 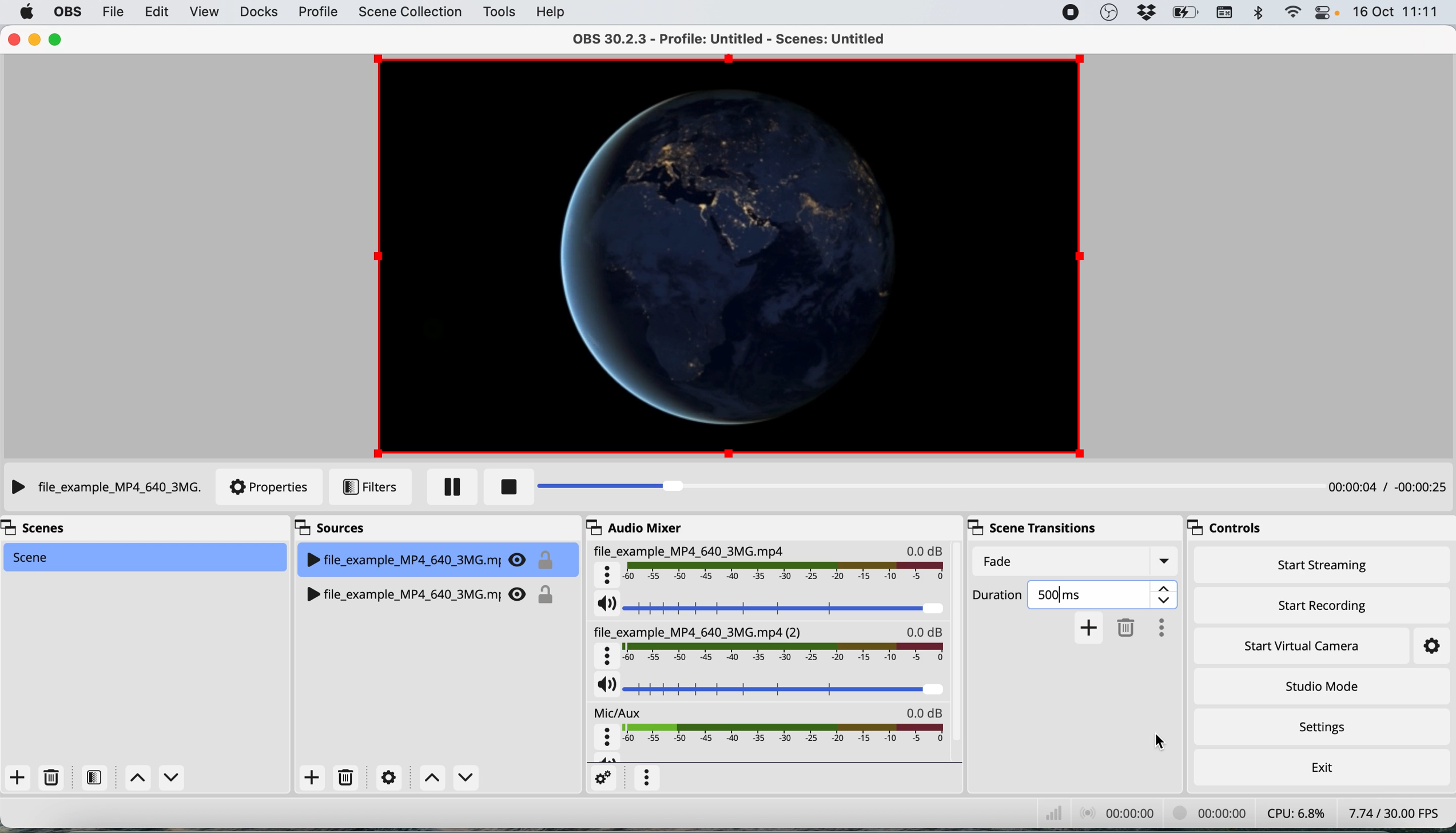 I want to click on switch between sources, so click(x=447, y=779).